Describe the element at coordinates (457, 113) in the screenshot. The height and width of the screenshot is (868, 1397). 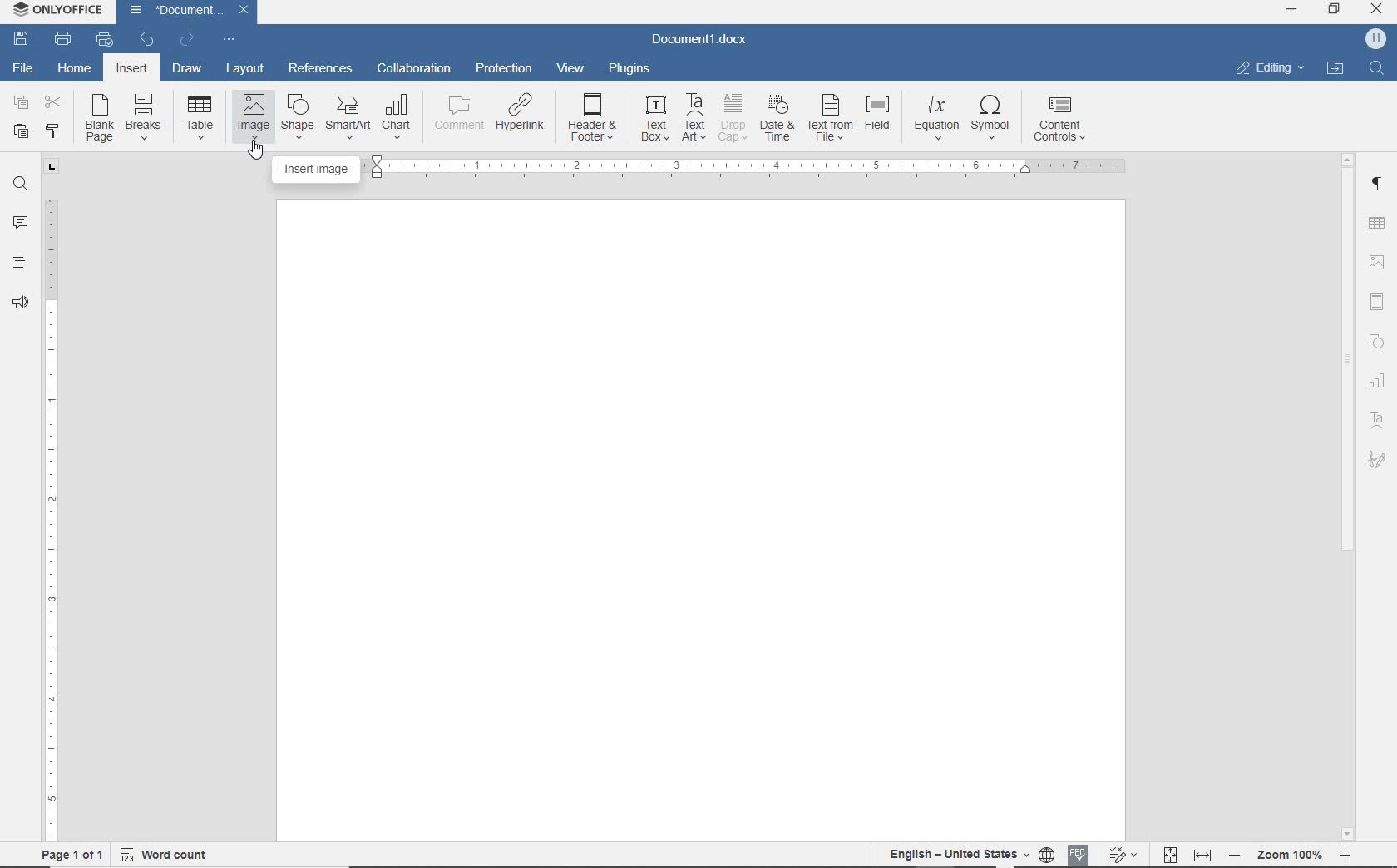
I see `comment` at that location.